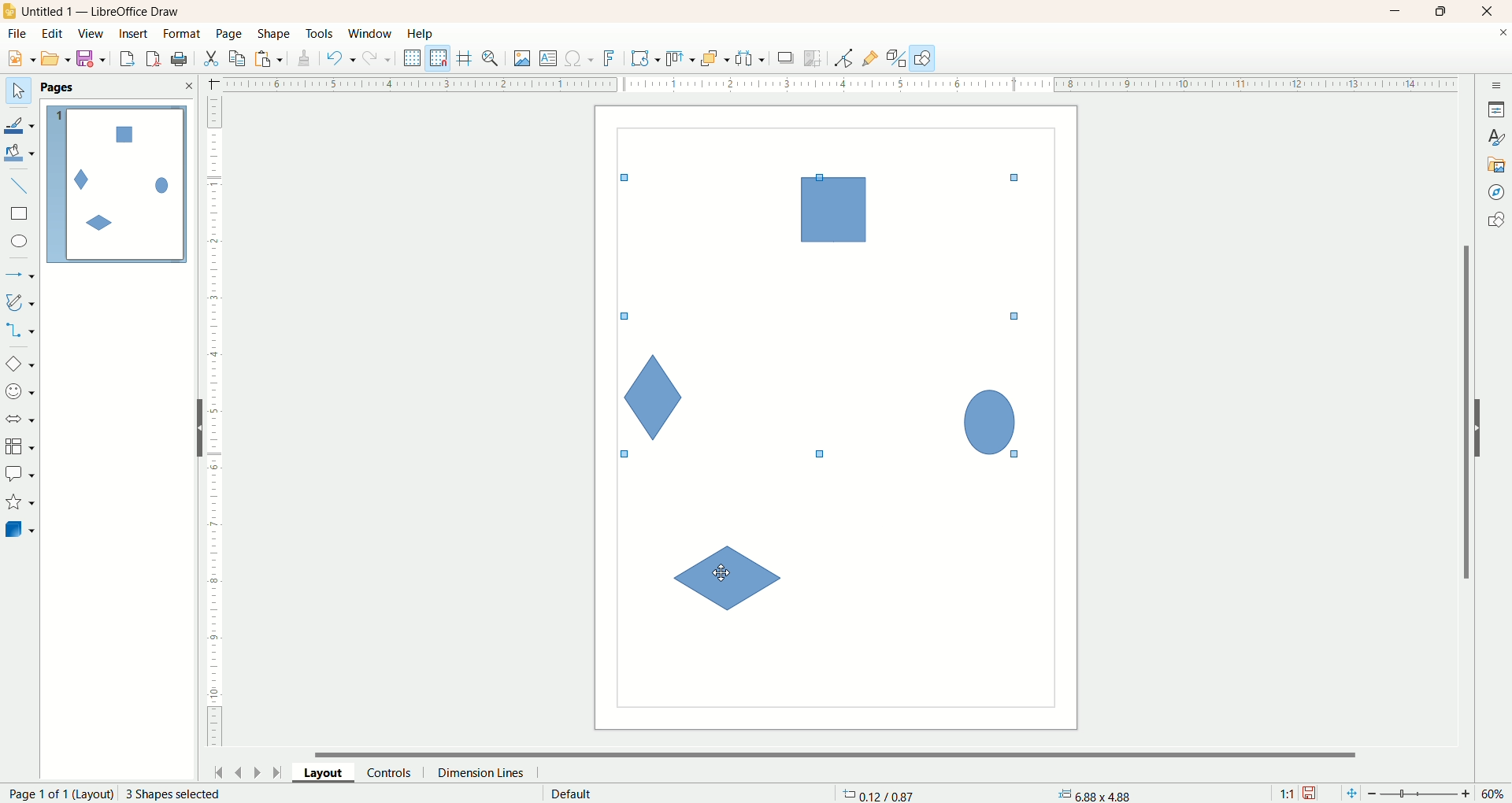  I want to click on window, so click(374, 35).